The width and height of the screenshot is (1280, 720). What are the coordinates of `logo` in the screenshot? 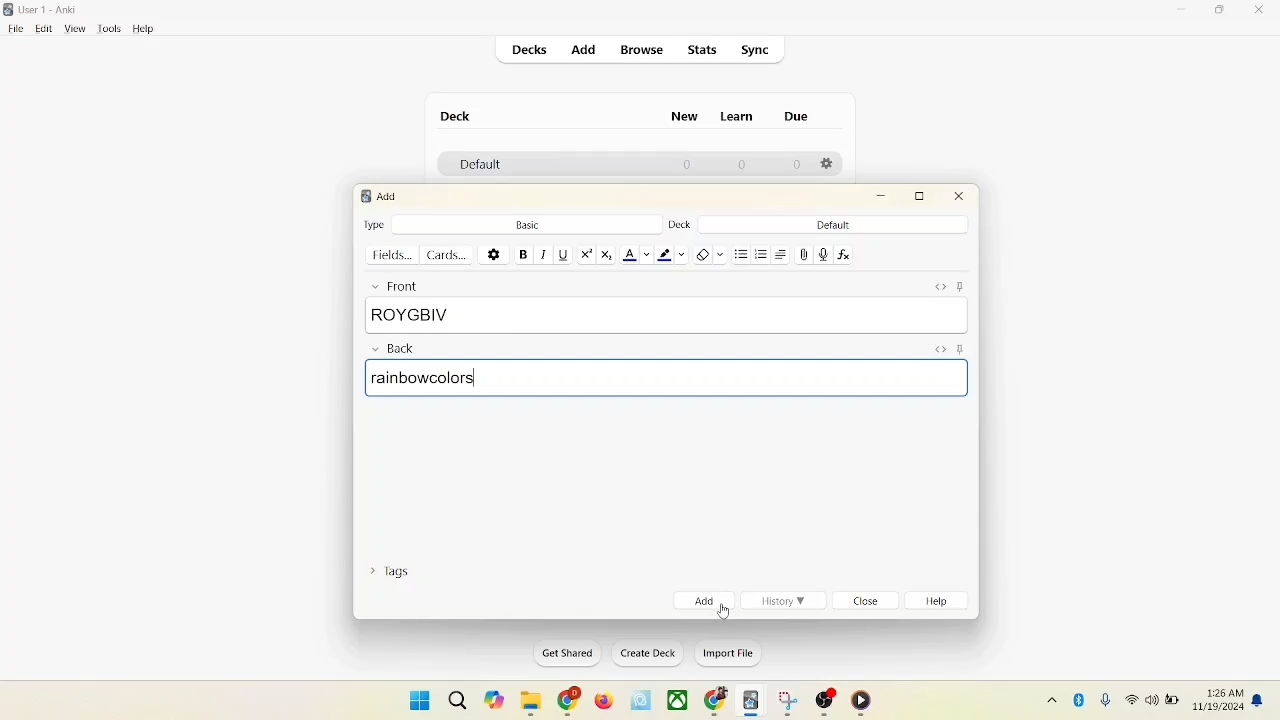 It's located at (364, 196).